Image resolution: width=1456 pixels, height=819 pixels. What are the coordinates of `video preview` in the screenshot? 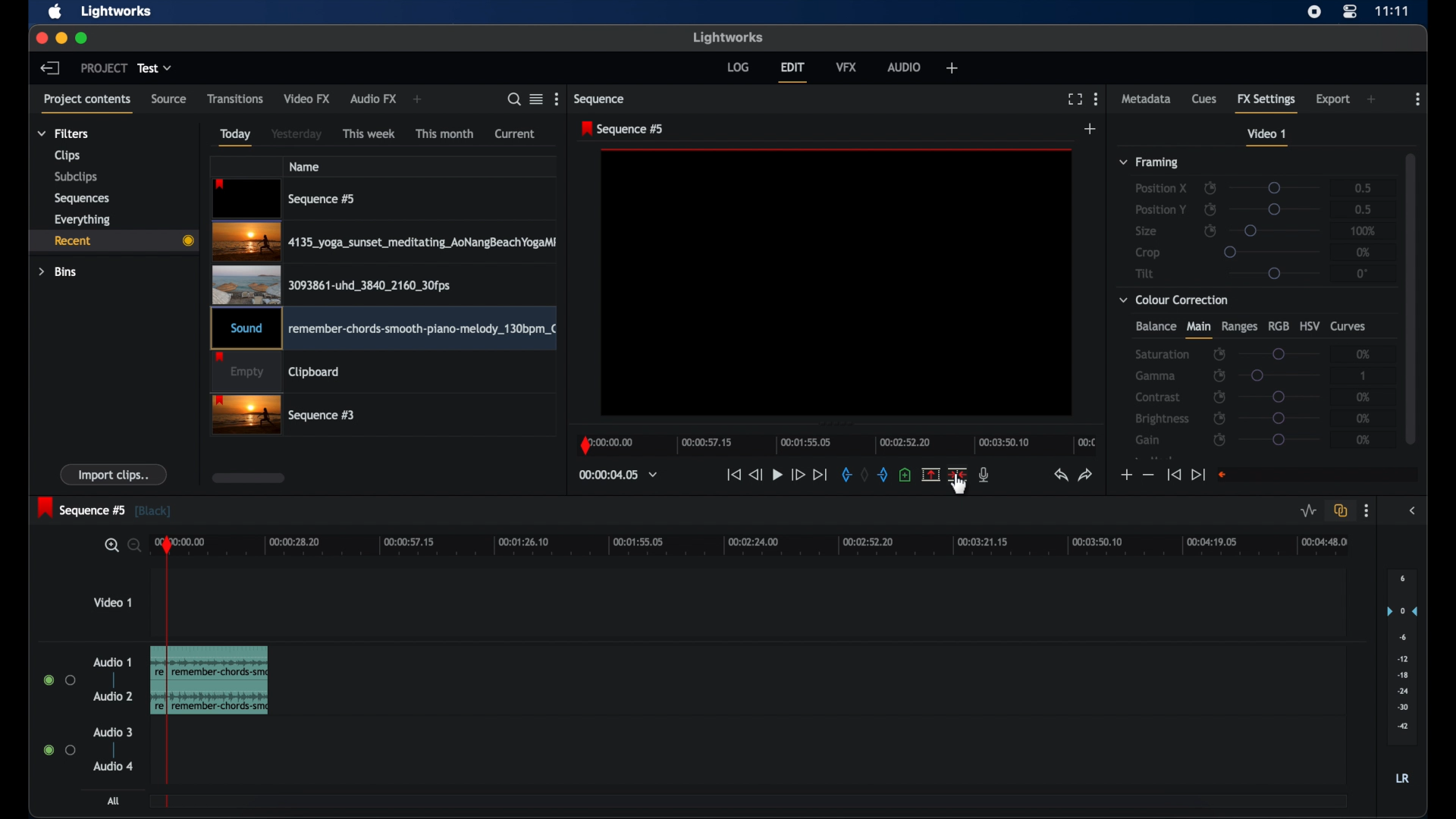 It's located at (837, 284).